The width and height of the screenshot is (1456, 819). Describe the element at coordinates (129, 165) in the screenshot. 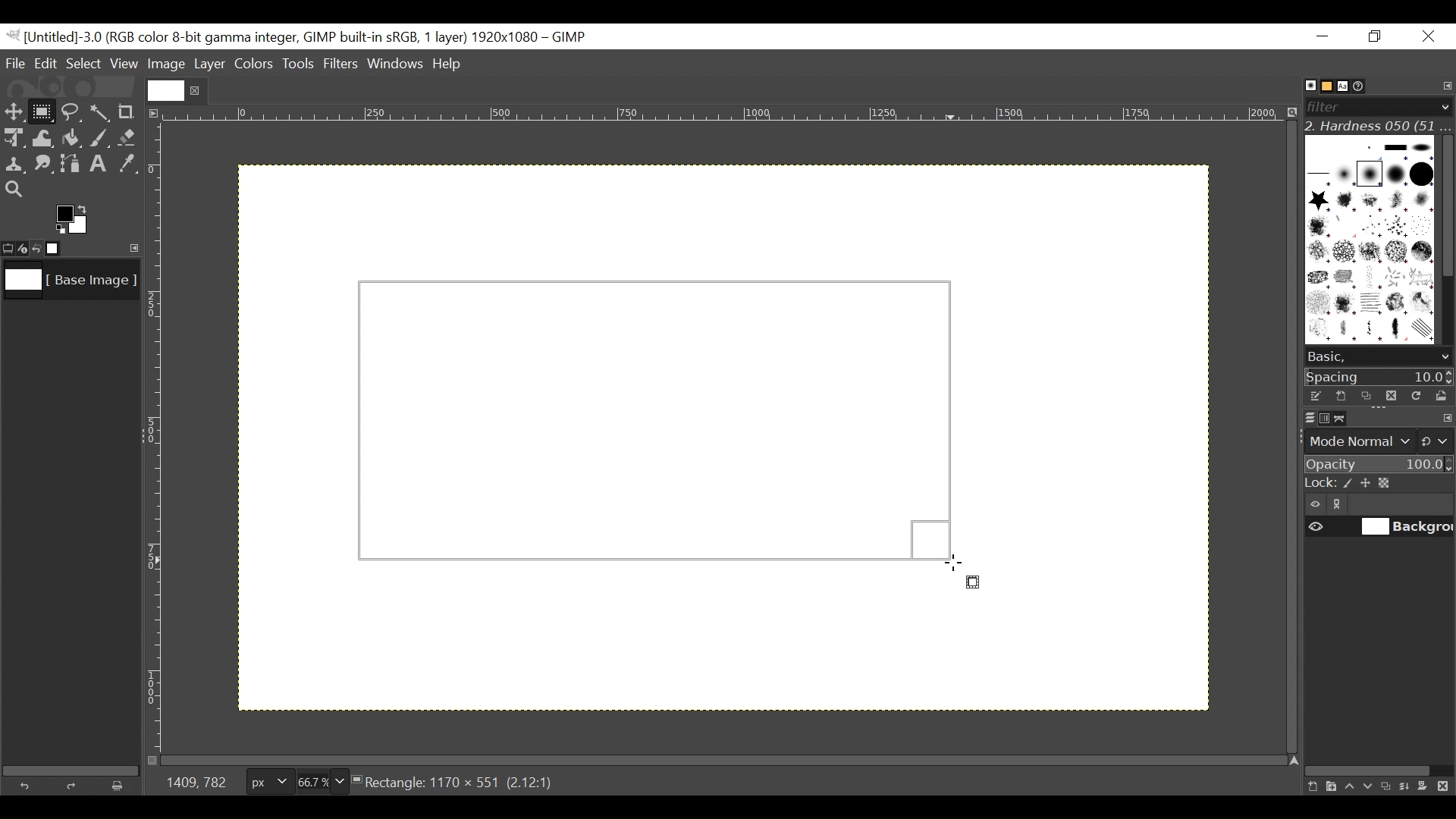

I see `Color picker tool` at that location.